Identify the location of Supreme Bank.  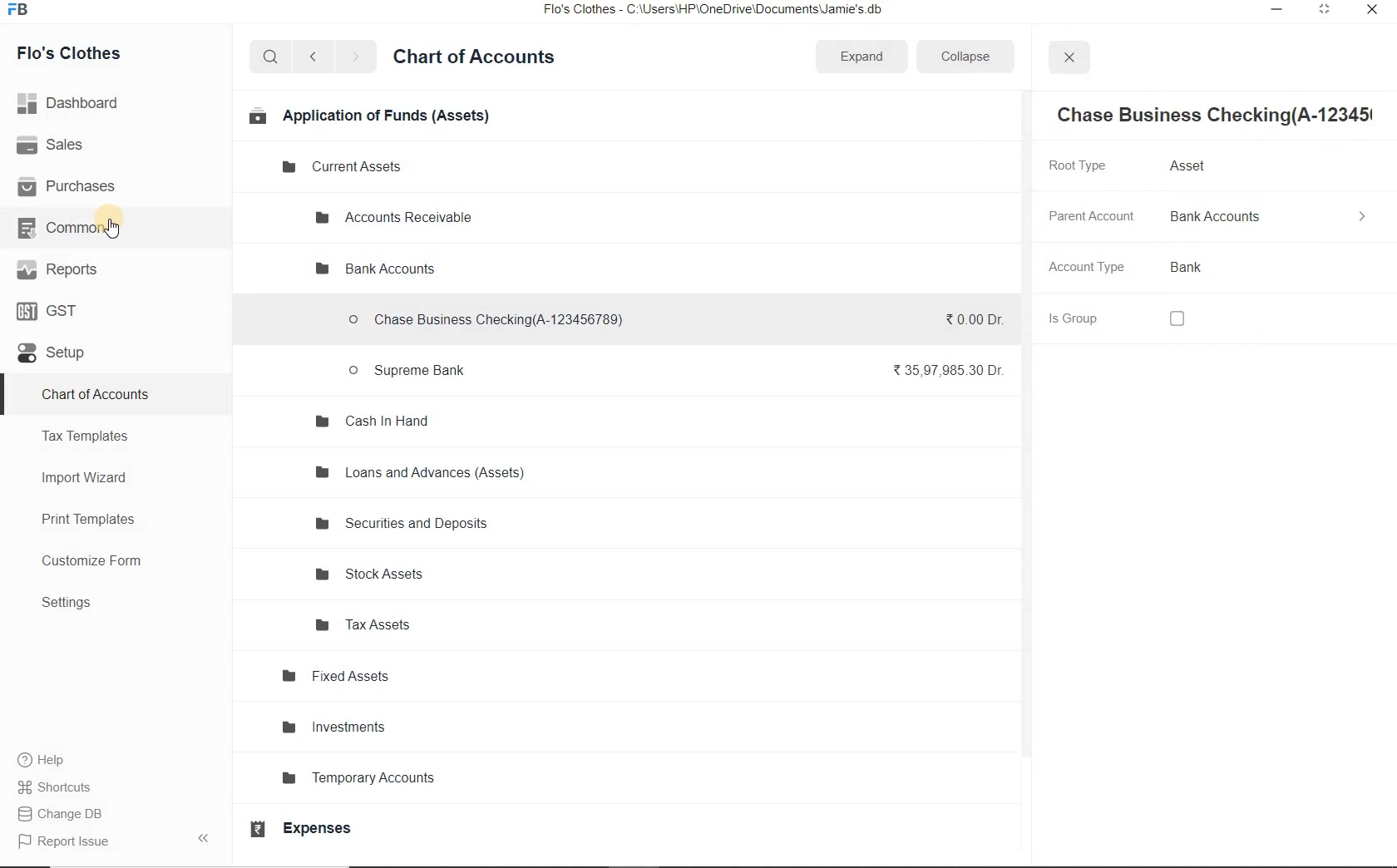
(409, 371).